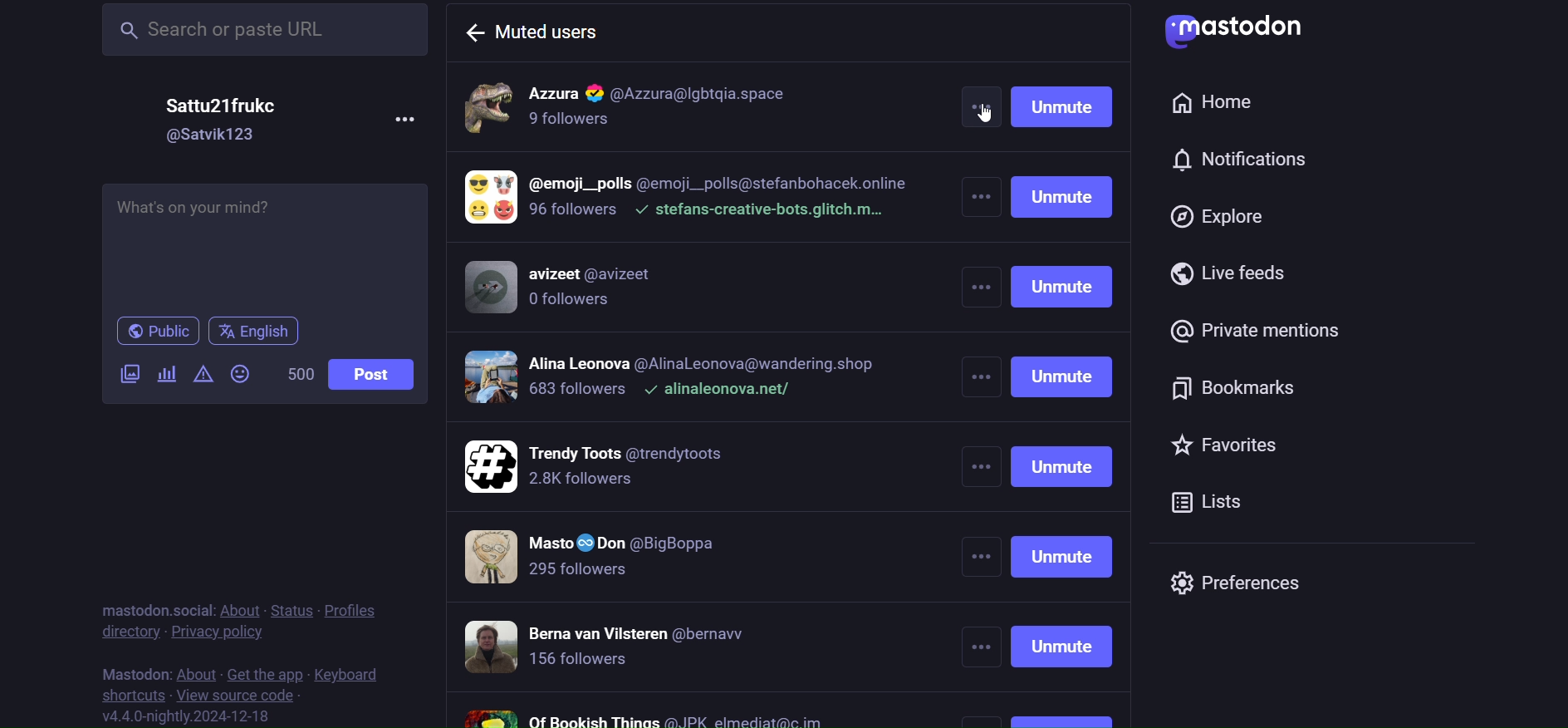  Describe the element at coordinates (674, 380) in the screenshot. I see `muted accounts 4` at that location.